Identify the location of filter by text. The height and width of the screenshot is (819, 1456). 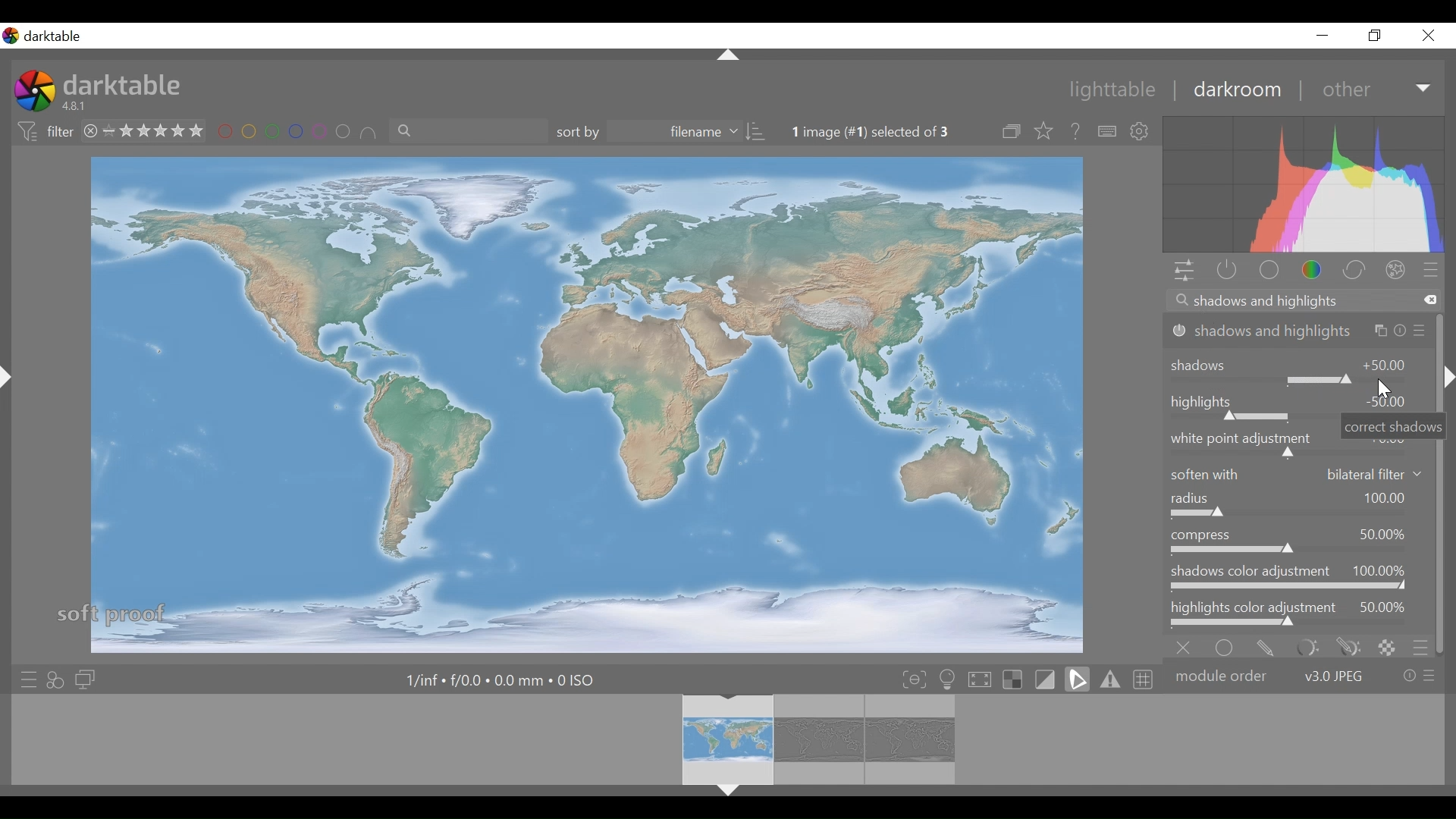
(468, 133).